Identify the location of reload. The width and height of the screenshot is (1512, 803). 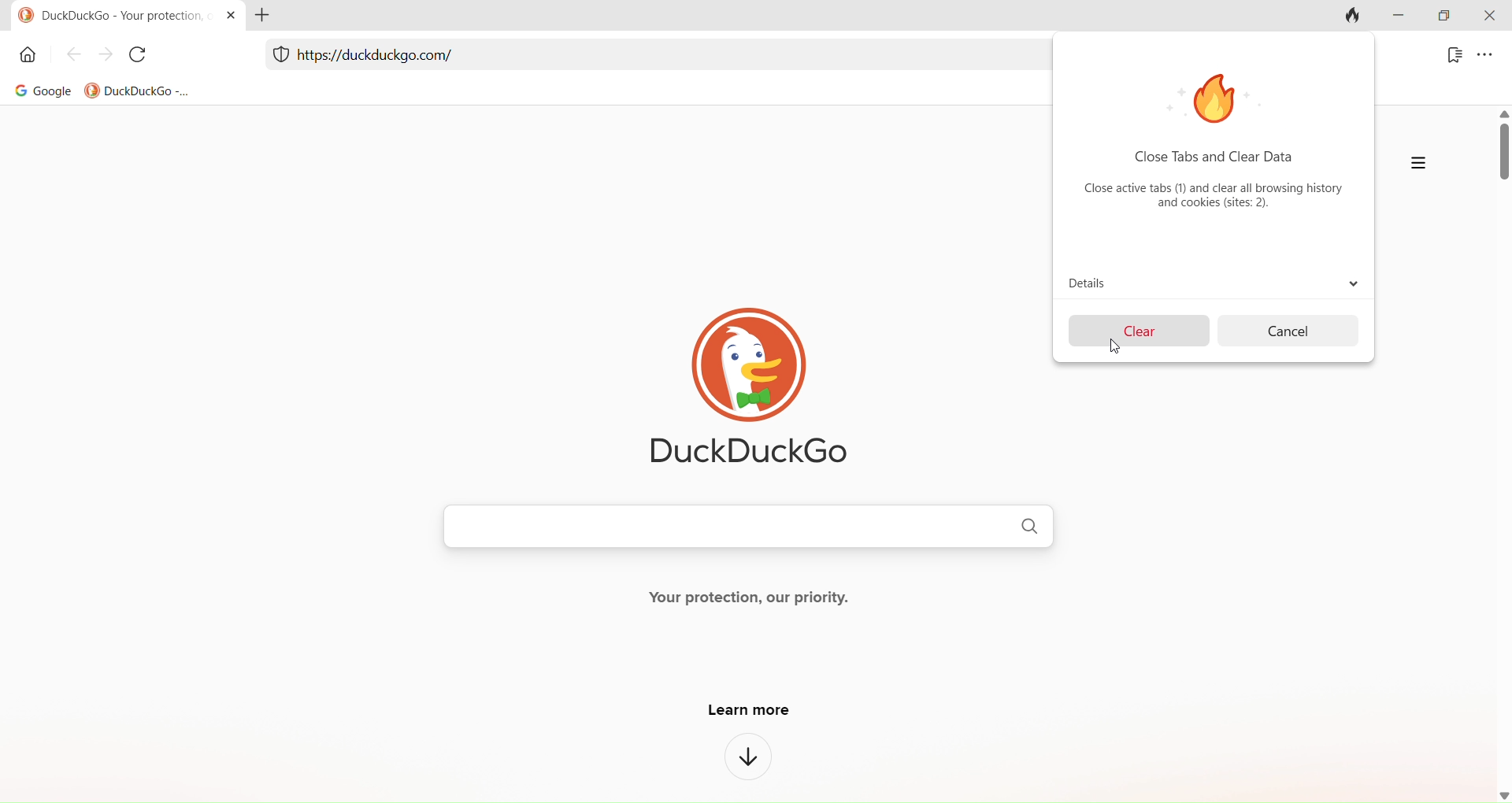
(139, 57).